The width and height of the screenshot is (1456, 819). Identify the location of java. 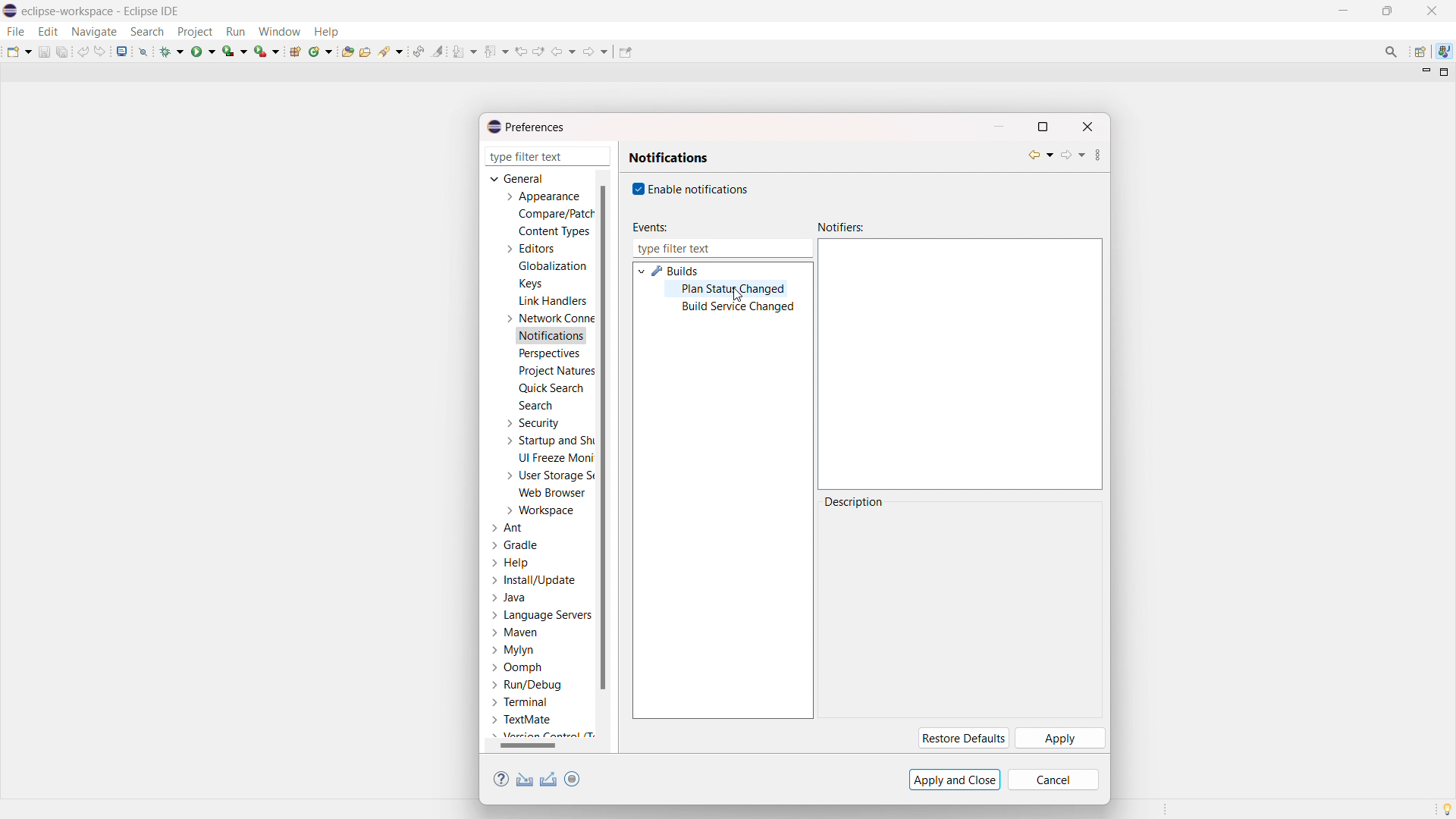
(1445, 52).